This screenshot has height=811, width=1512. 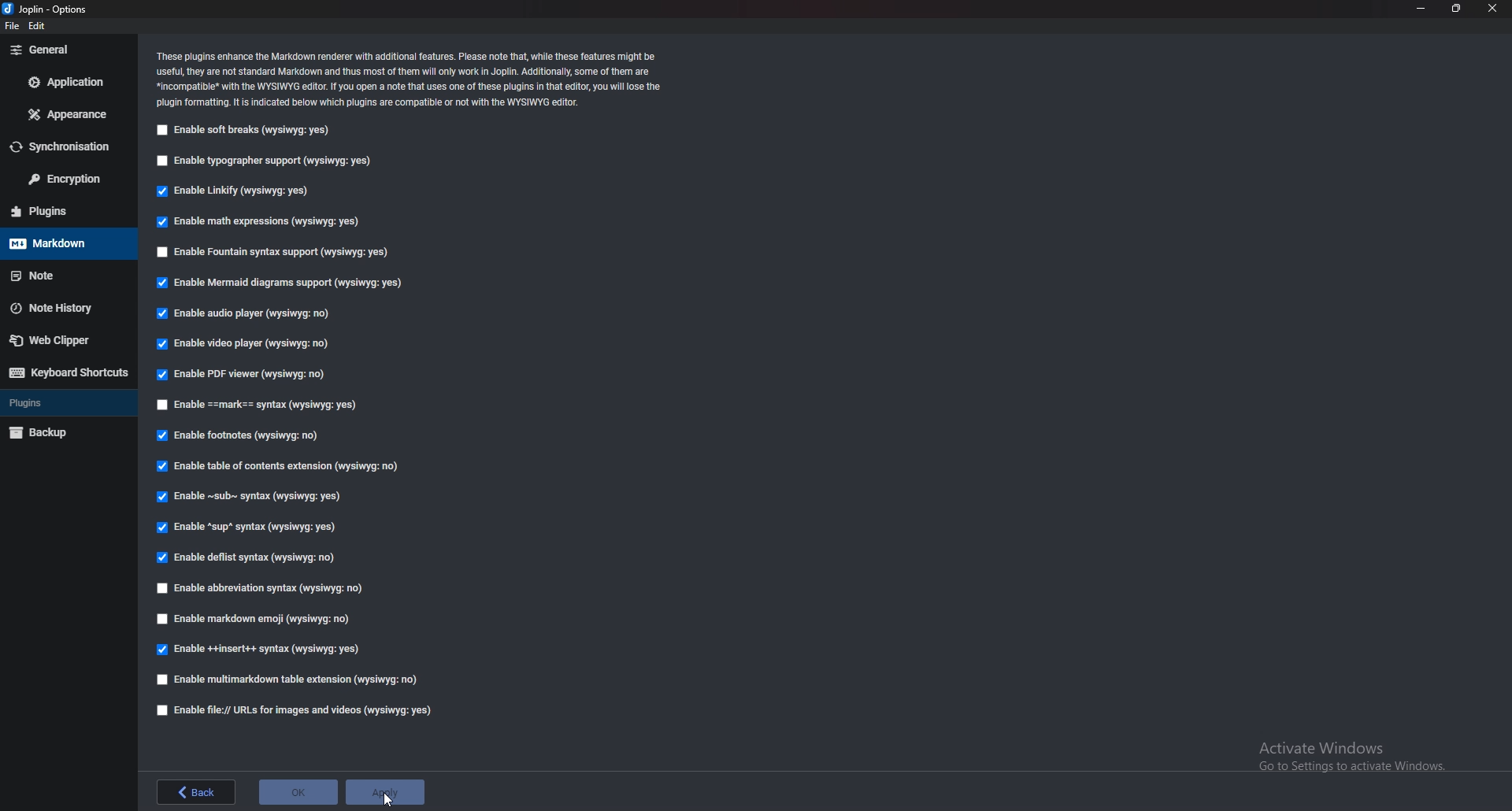 What do you see at coordinates (384, 791) in the screenshot?
I see `Apply` at bounding box center [384, 791].